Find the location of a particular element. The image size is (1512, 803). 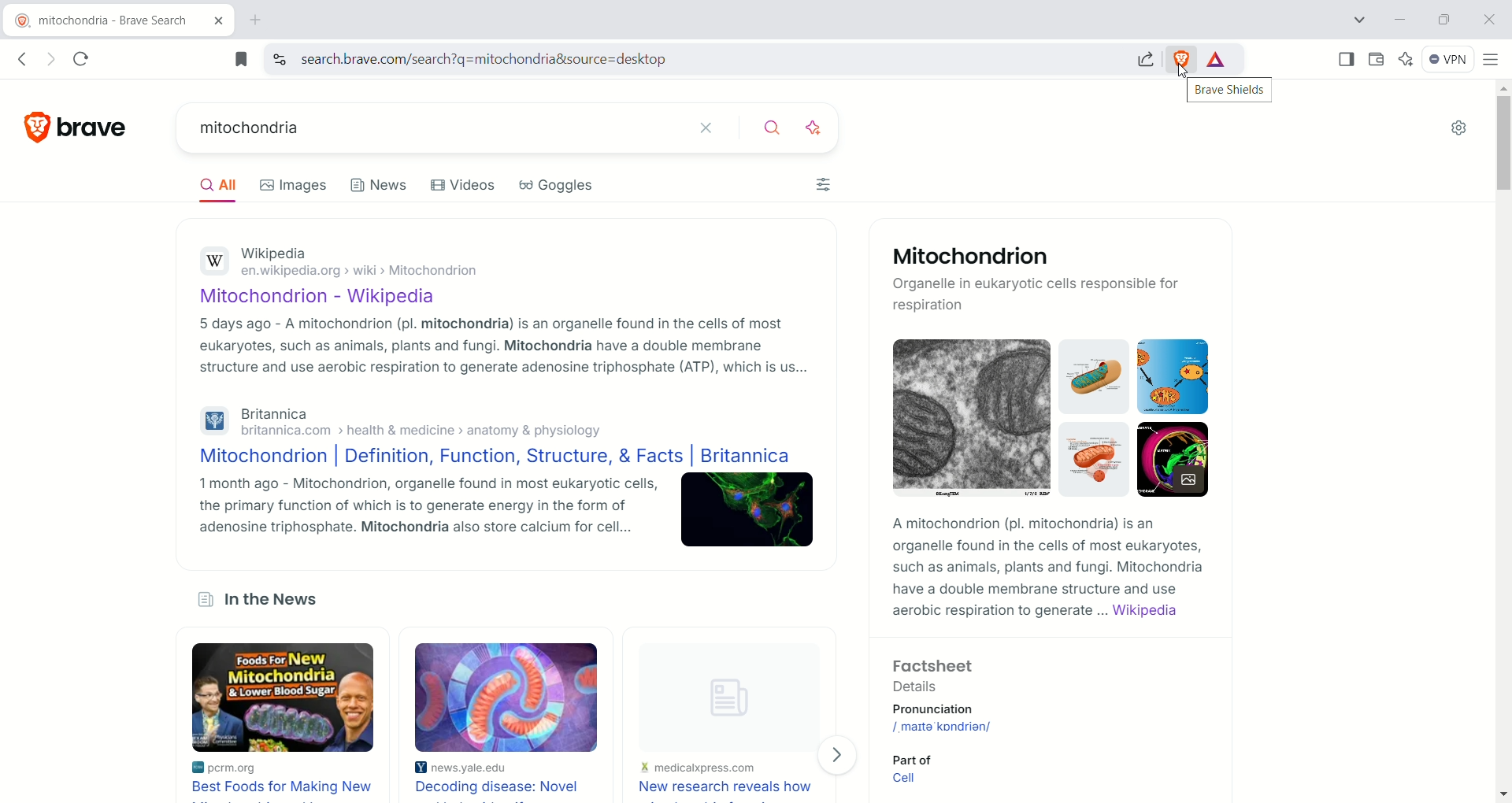

customize and control brave is located at coordinates (1492, 61).